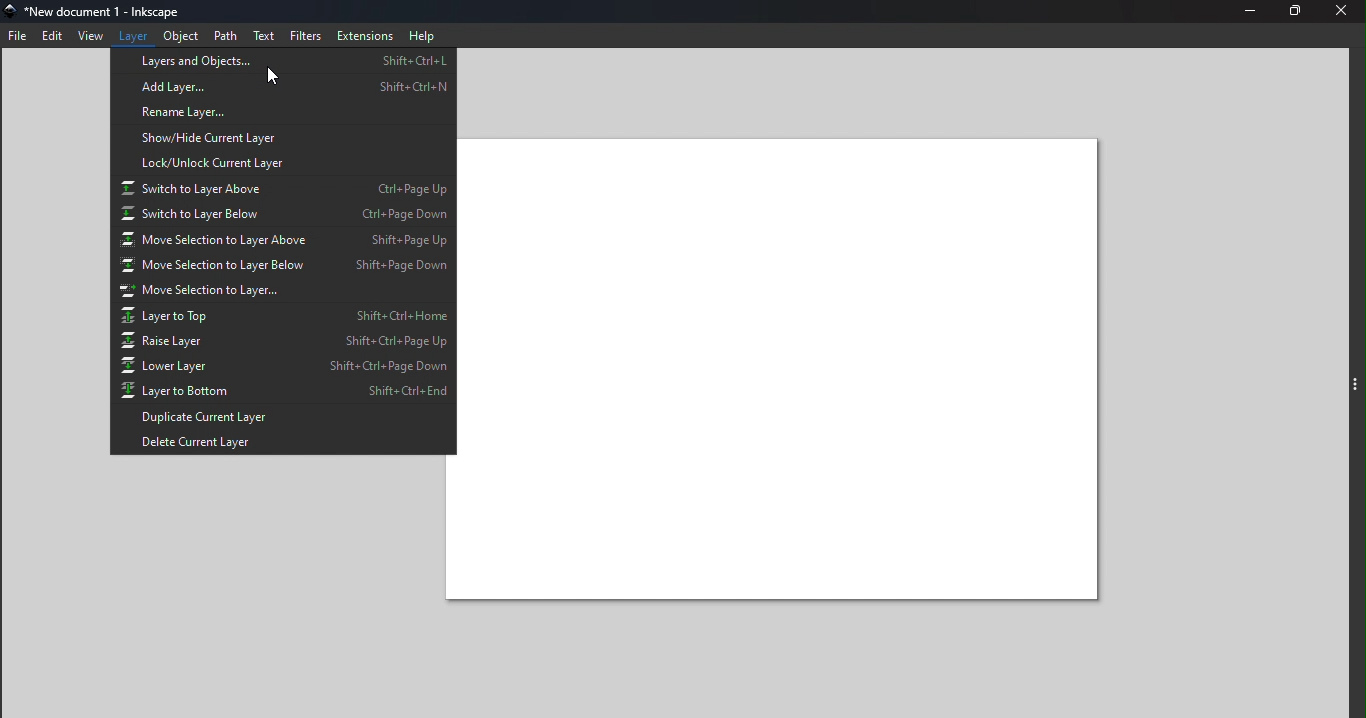 The image size is (1366, 718). I want to click on Path, so click(226, 35).